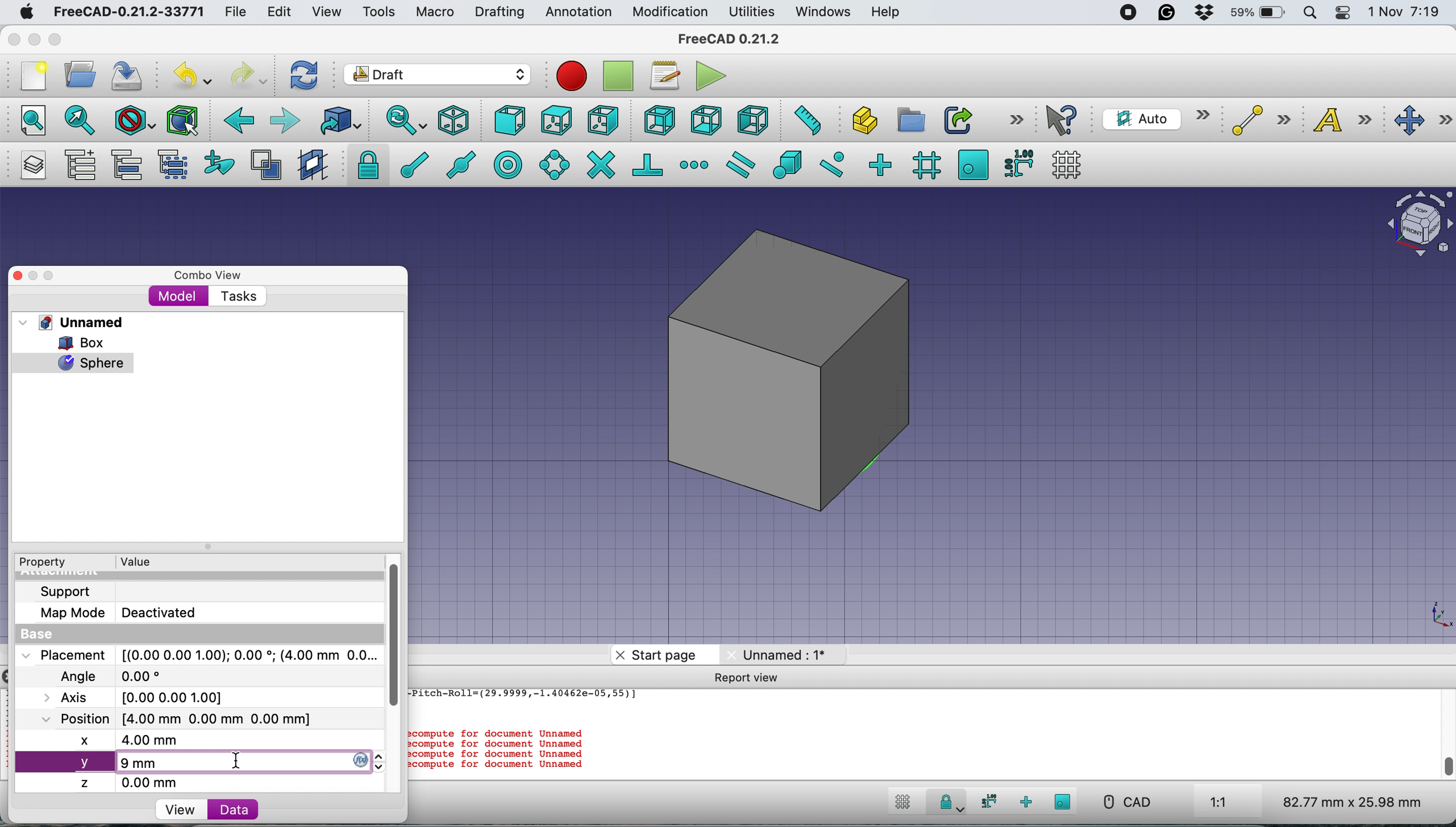 Image resolution: width=1456 pixels, height=827 pixels. I want to click on freecad, so click(738, 39).